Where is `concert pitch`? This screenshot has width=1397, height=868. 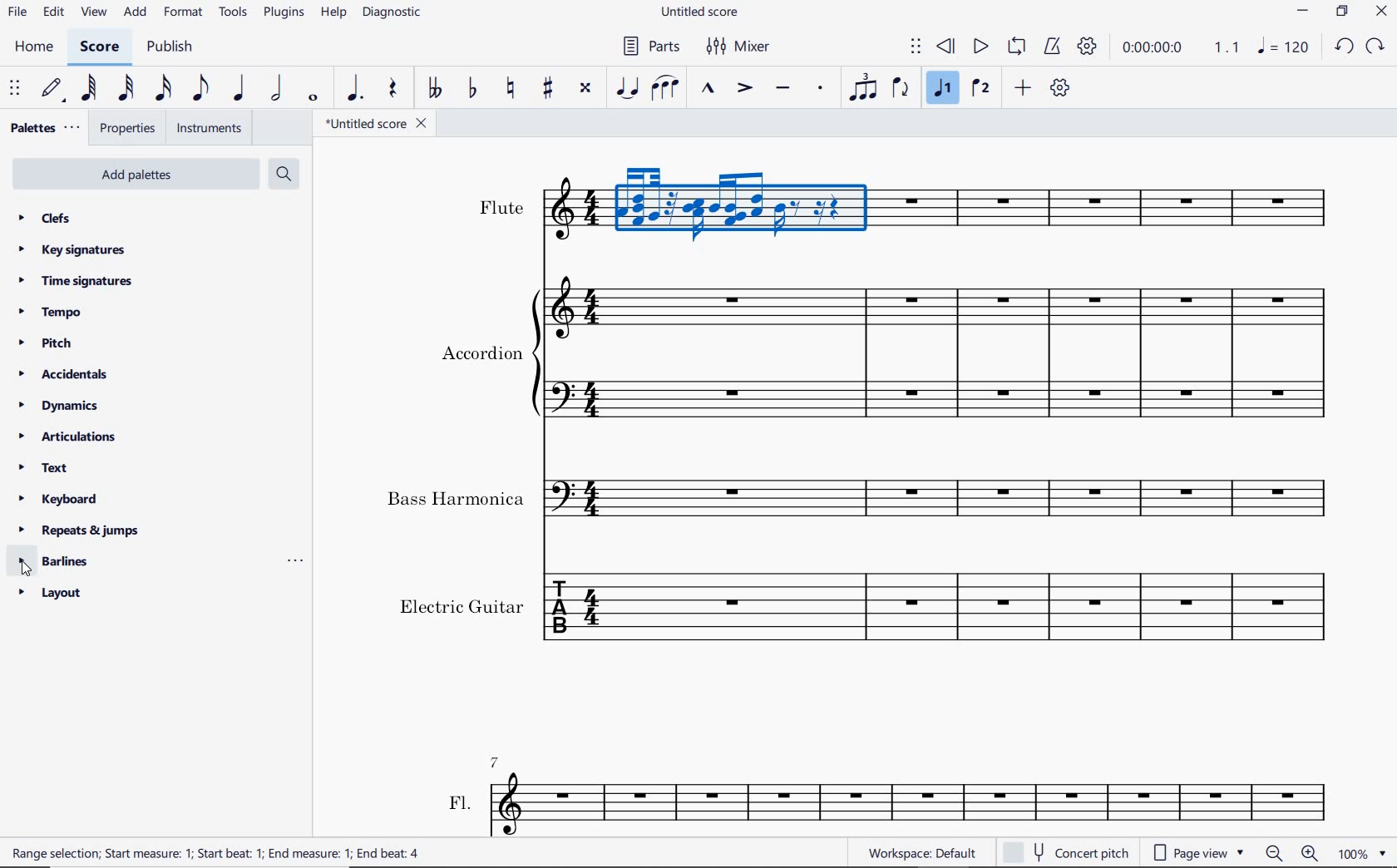
concert pitch is located at coordinates (1069, 851).